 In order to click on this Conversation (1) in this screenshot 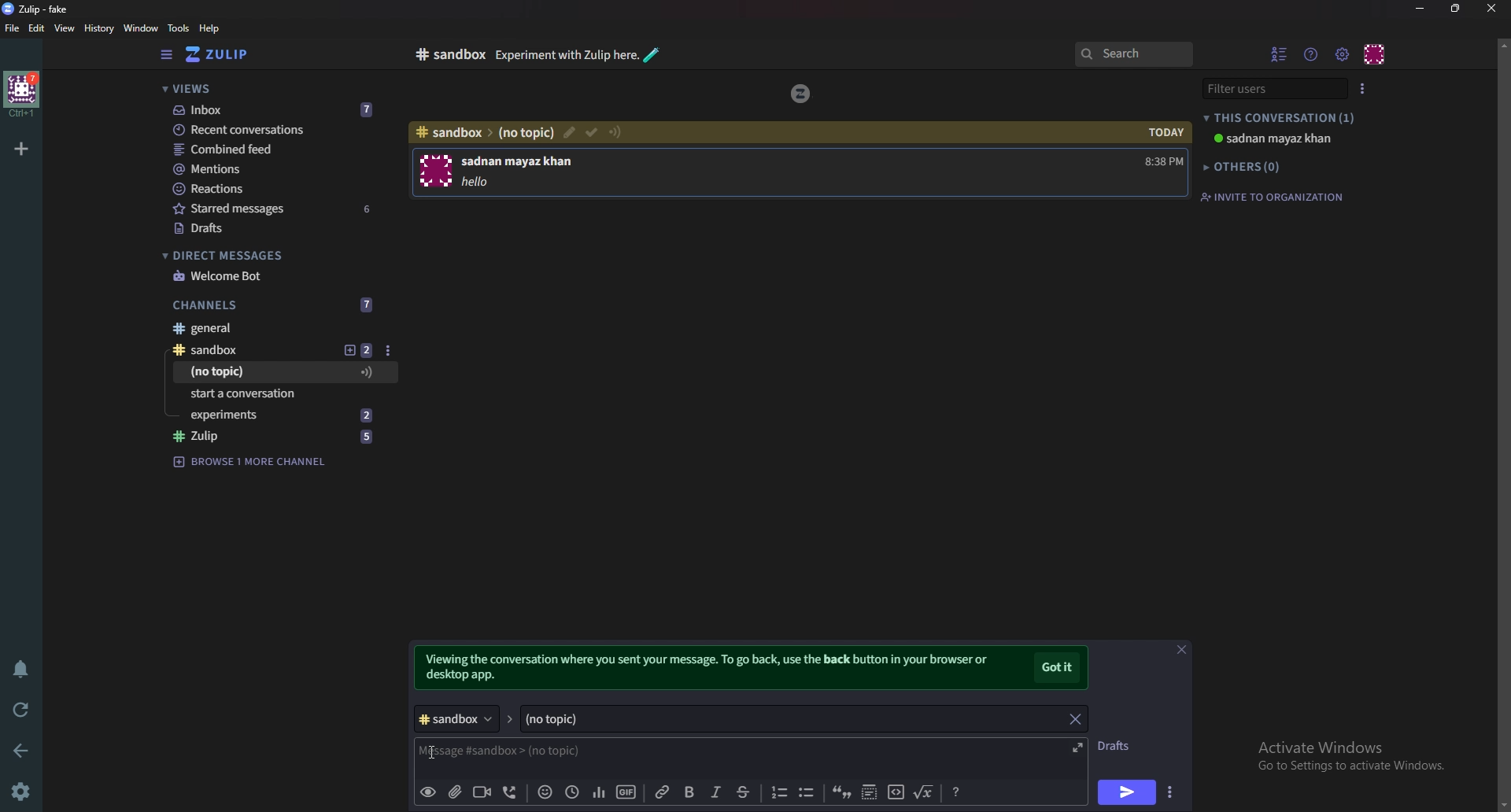, I will do `click(1283, 118)`.